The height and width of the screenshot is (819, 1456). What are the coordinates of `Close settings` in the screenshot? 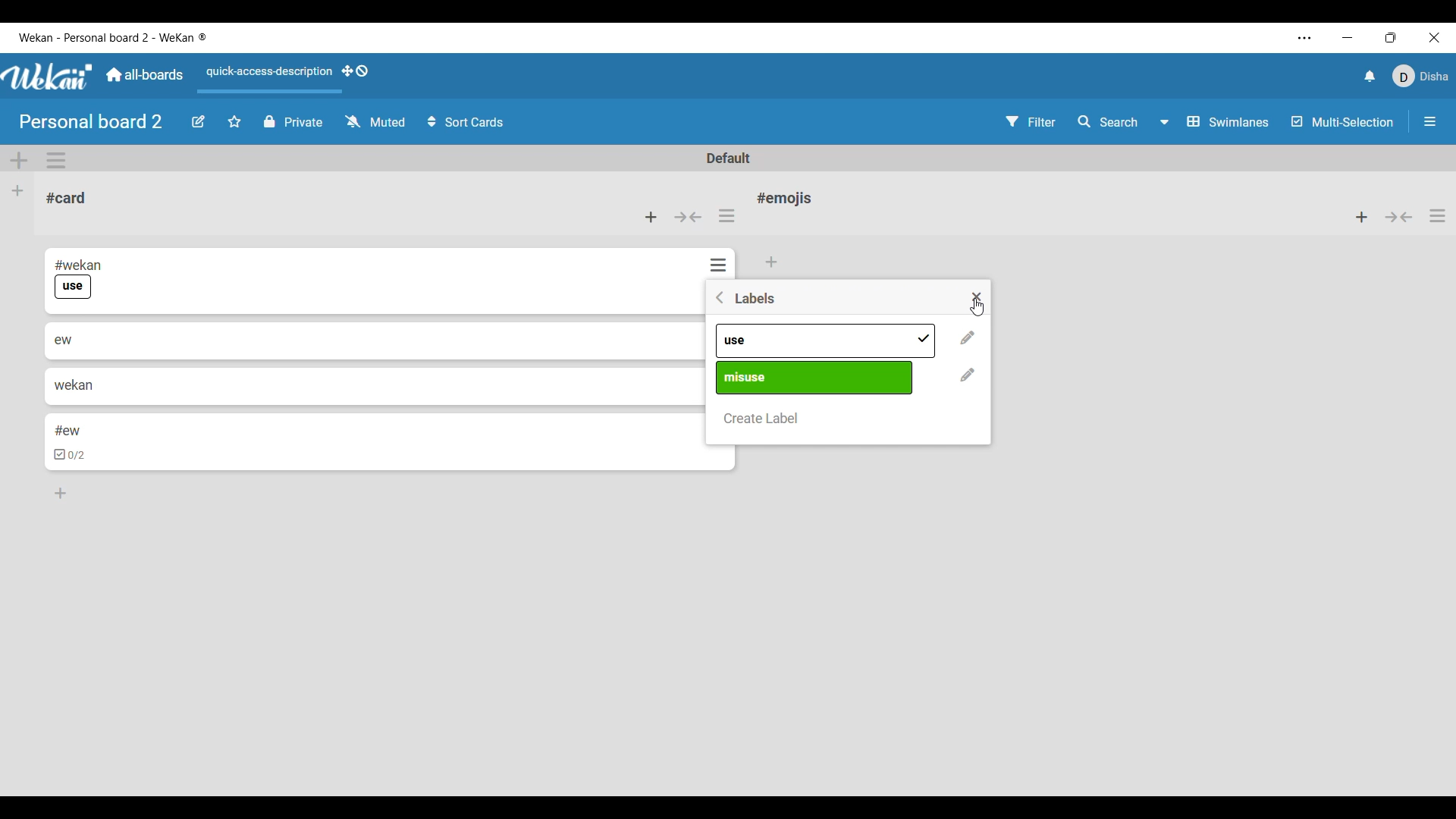 It's located at (977, 297).